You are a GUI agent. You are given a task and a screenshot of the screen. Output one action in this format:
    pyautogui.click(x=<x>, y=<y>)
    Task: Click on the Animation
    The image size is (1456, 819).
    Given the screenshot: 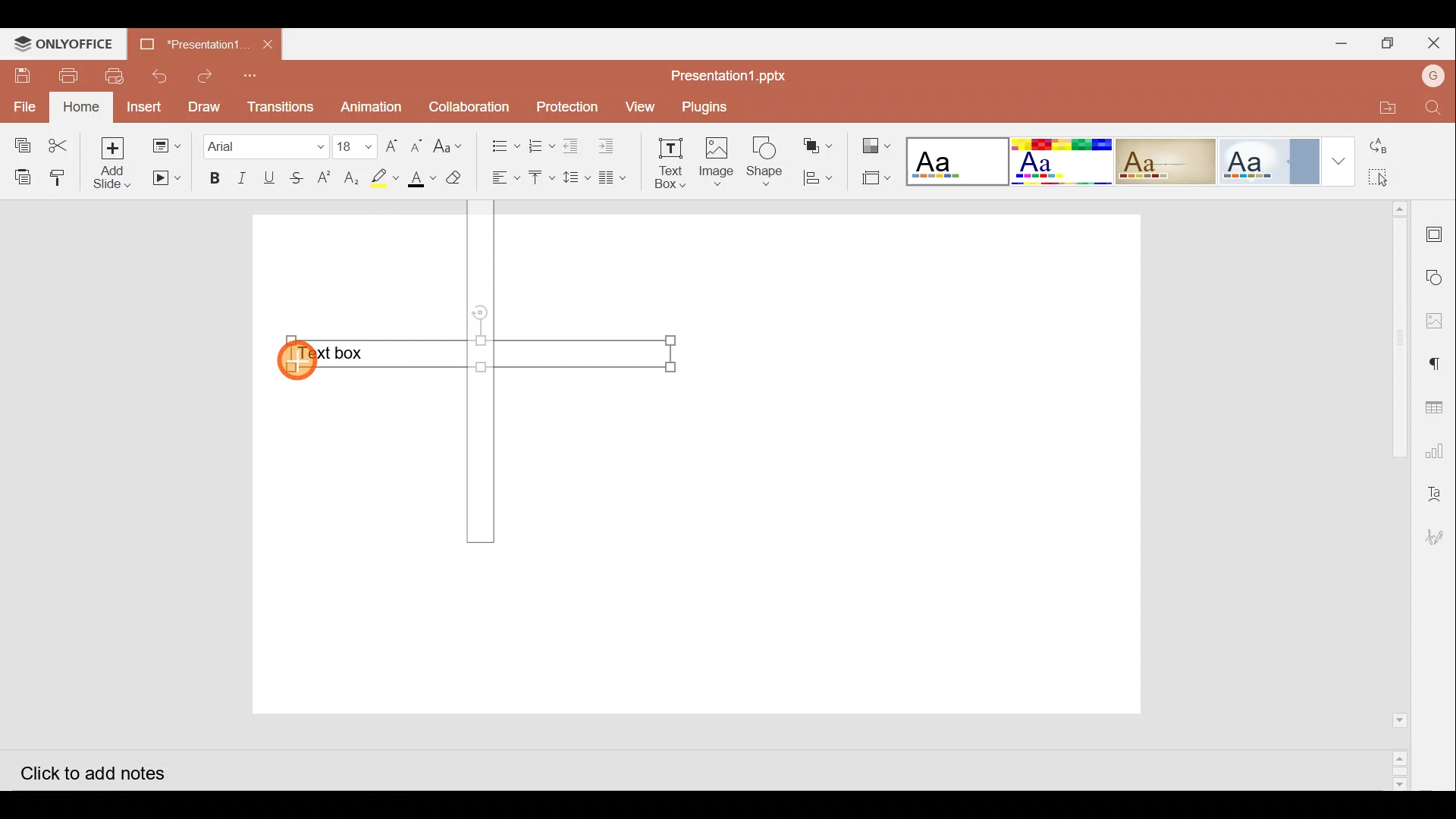 What is the action you would take?
    pyautogui.click(x=372, y=107)
    